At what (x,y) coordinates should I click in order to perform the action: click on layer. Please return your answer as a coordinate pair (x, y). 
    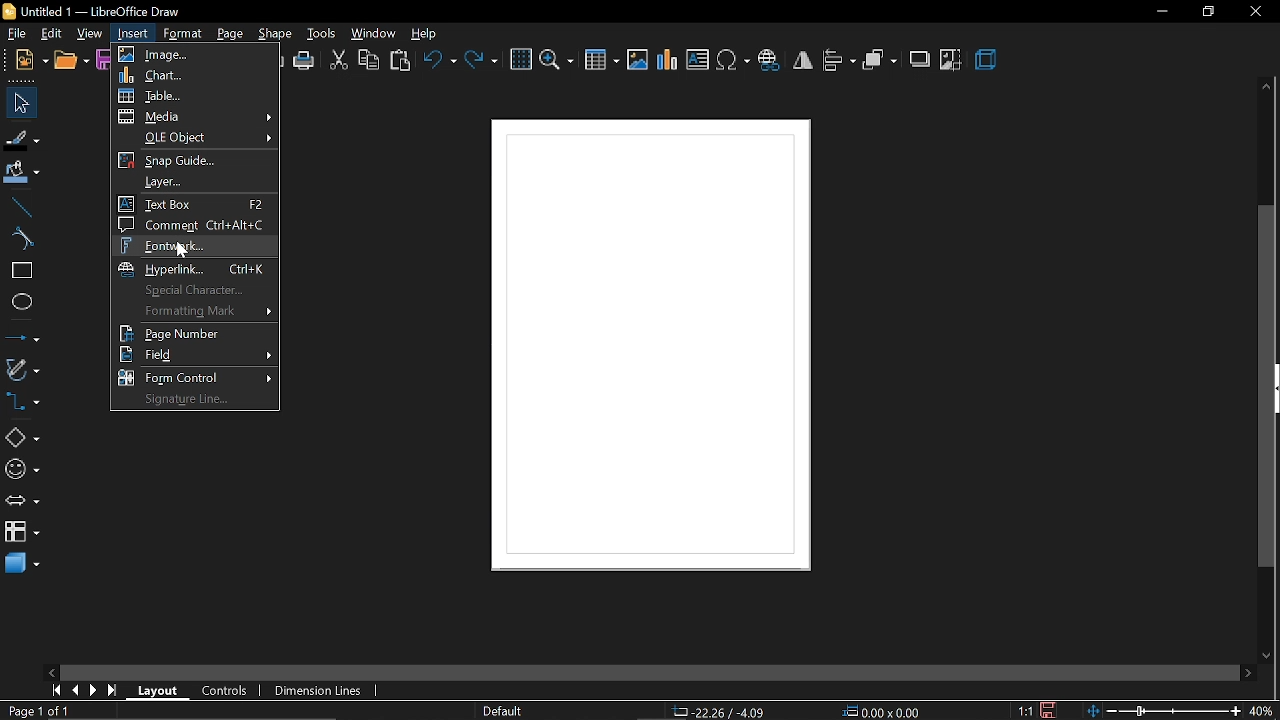
    Looking at the image, I should click on (191, 181).